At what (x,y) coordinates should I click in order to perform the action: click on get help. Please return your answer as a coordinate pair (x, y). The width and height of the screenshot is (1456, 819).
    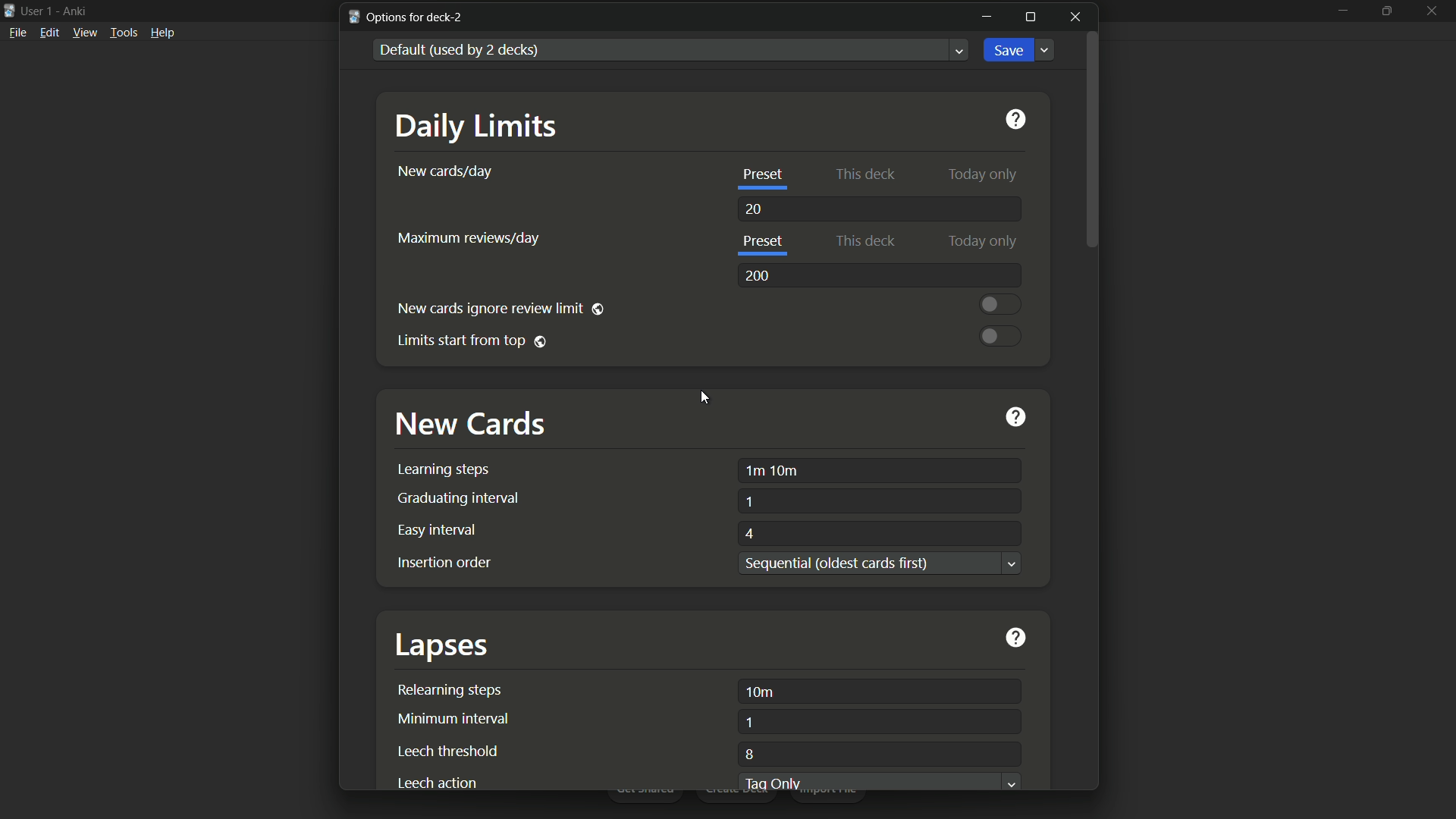
    Looking at the image, I should click on (1012, 118).